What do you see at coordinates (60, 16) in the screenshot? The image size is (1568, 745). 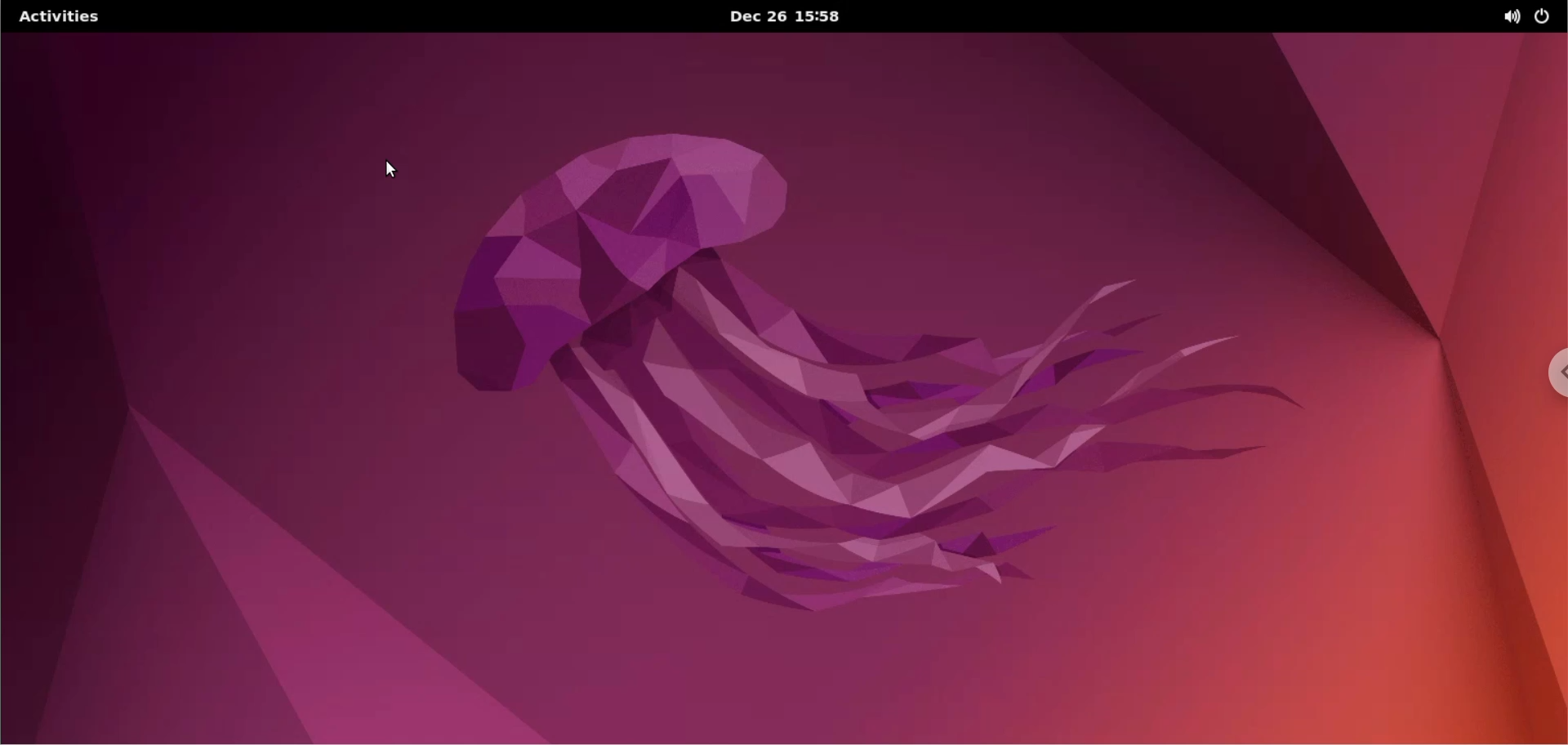 I see `Activities` at bounding box center [60, 16].